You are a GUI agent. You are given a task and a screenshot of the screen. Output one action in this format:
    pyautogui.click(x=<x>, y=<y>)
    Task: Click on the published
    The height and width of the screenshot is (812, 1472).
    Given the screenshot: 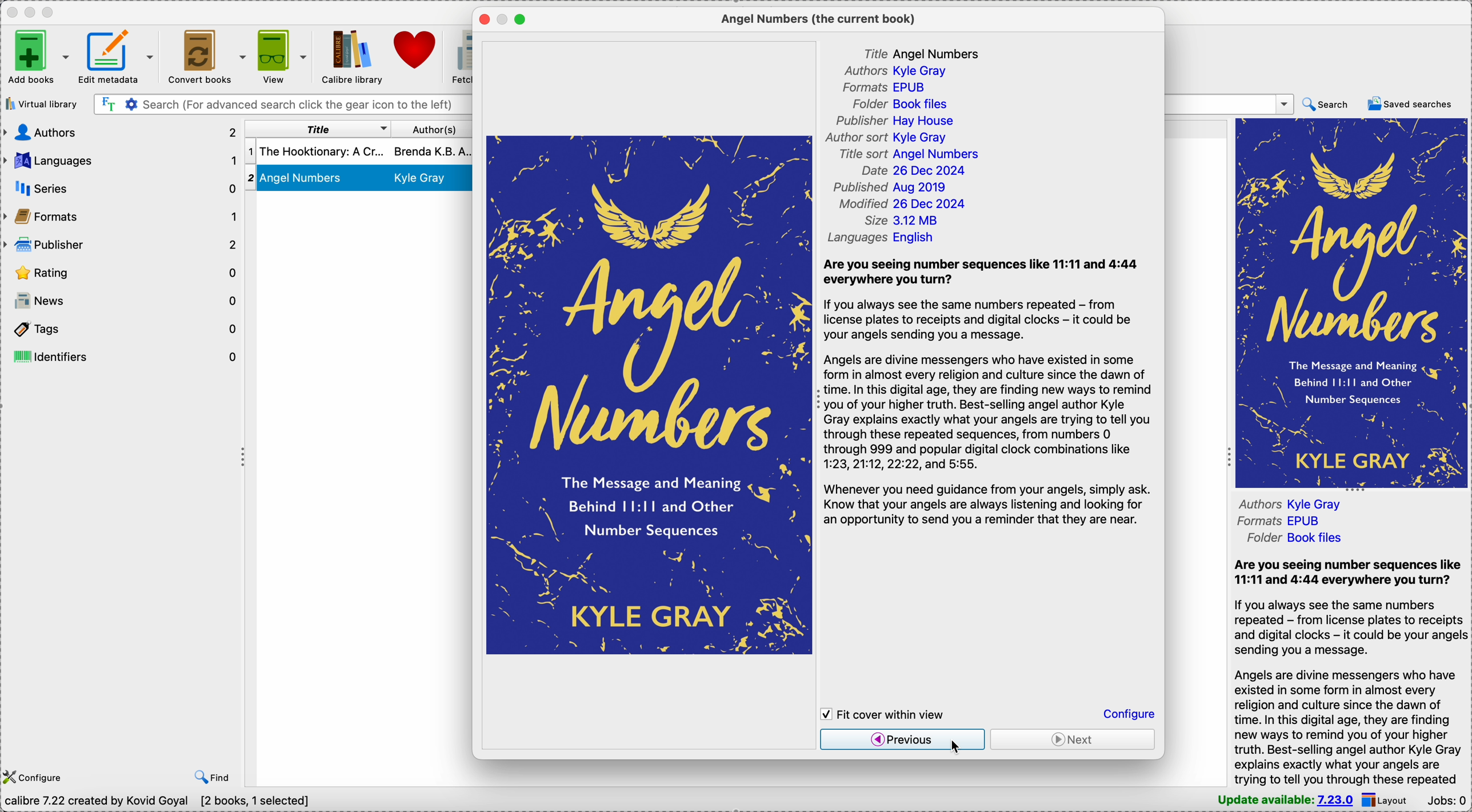 What is the action you would take?
    pyautogui.click(x=898, y=188)
    